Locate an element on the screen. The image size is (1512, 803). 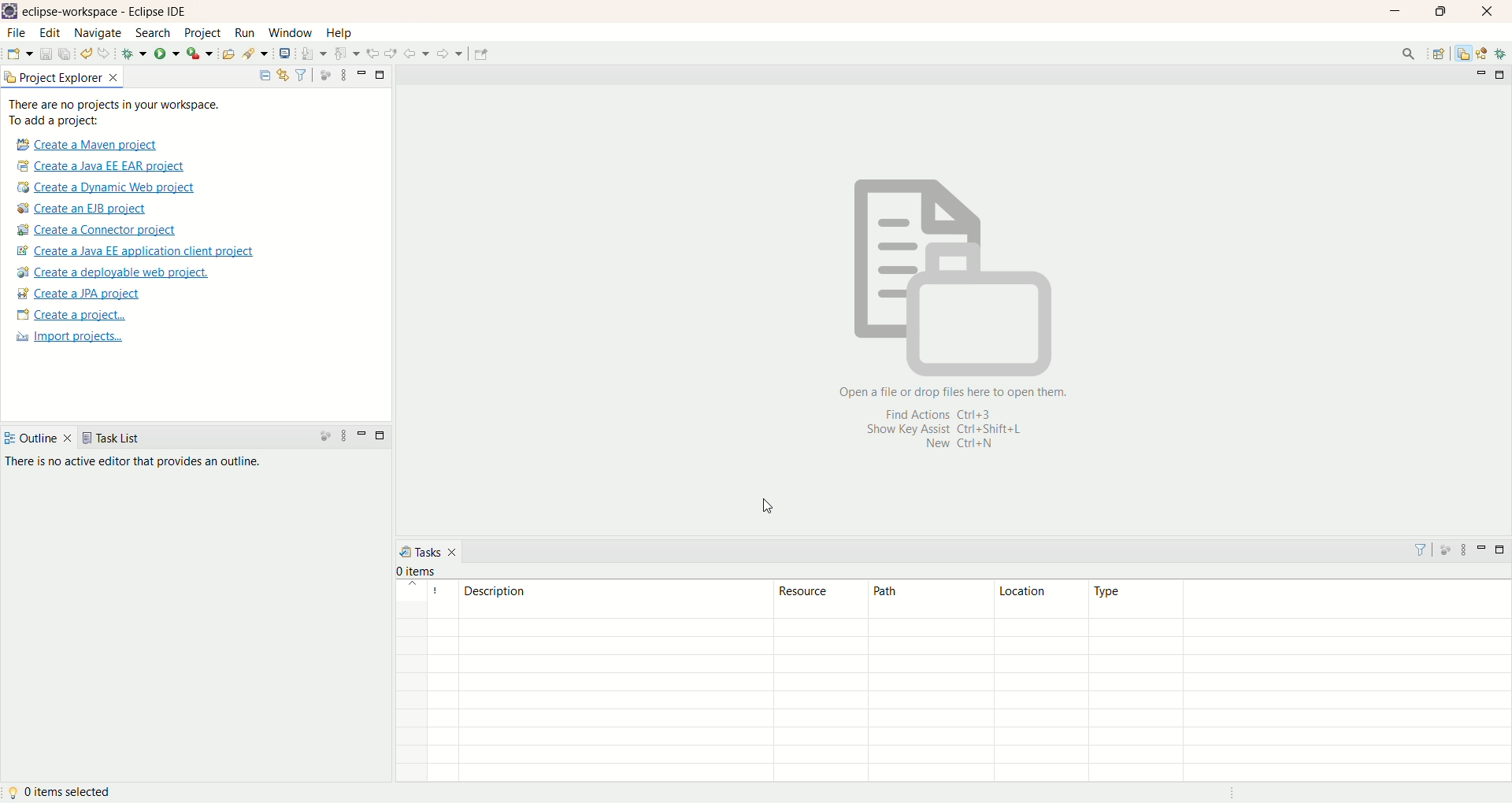
minimize is located at coordinates (1401, 13).